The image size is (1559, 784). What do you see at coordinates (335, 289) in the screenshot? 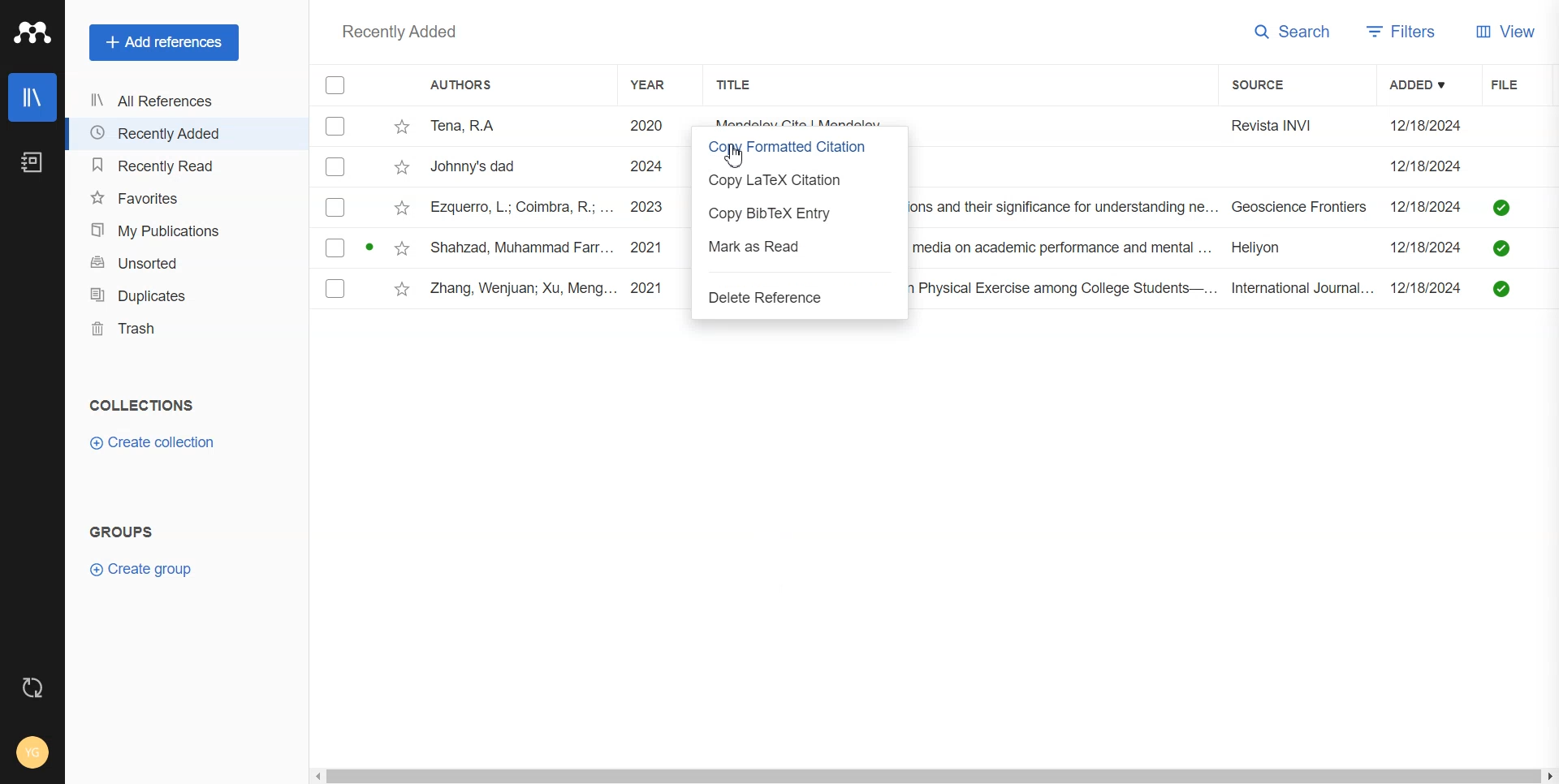
I see `Checkbox` at bounding box center [335, 289].